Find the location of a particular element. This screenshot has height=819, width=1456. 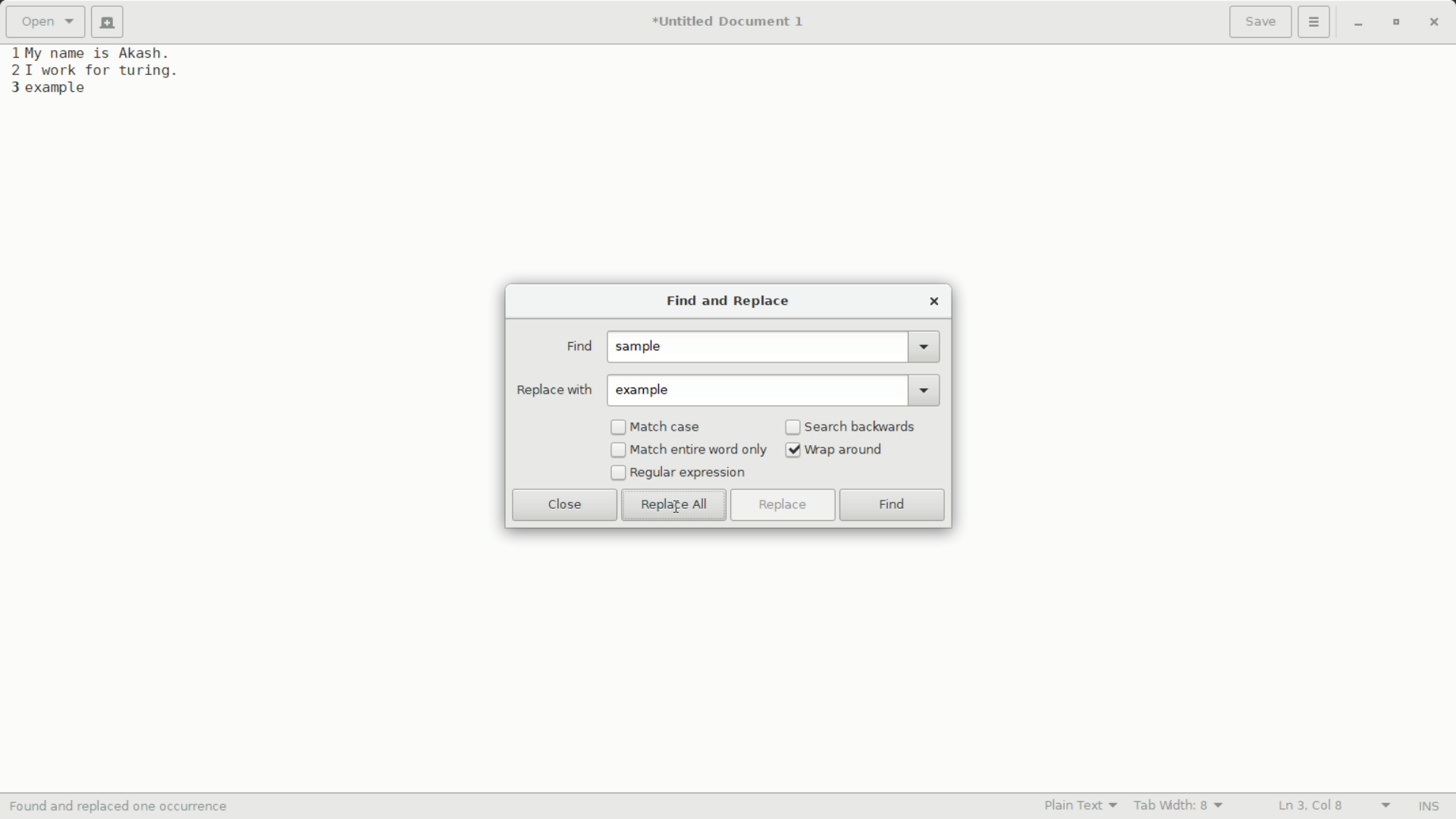

INS is located at coordinates (1428, 807).